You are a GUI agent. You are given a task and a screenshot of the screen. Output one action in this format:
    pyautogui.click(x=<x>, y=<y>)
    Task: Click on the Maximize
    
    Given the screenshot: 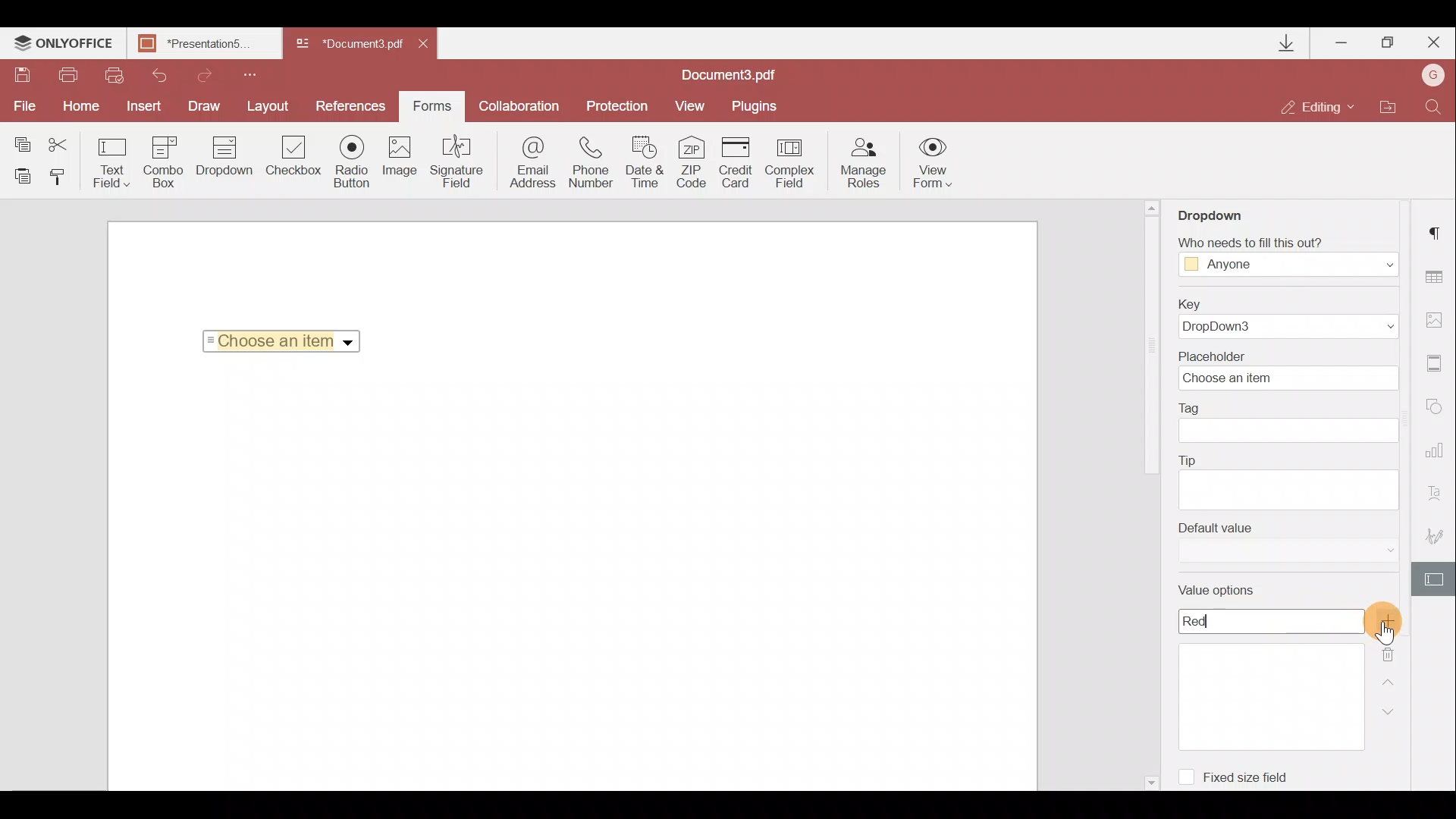 What is the action you would take?
    pyautogui.click(x=1387, y=45)
    